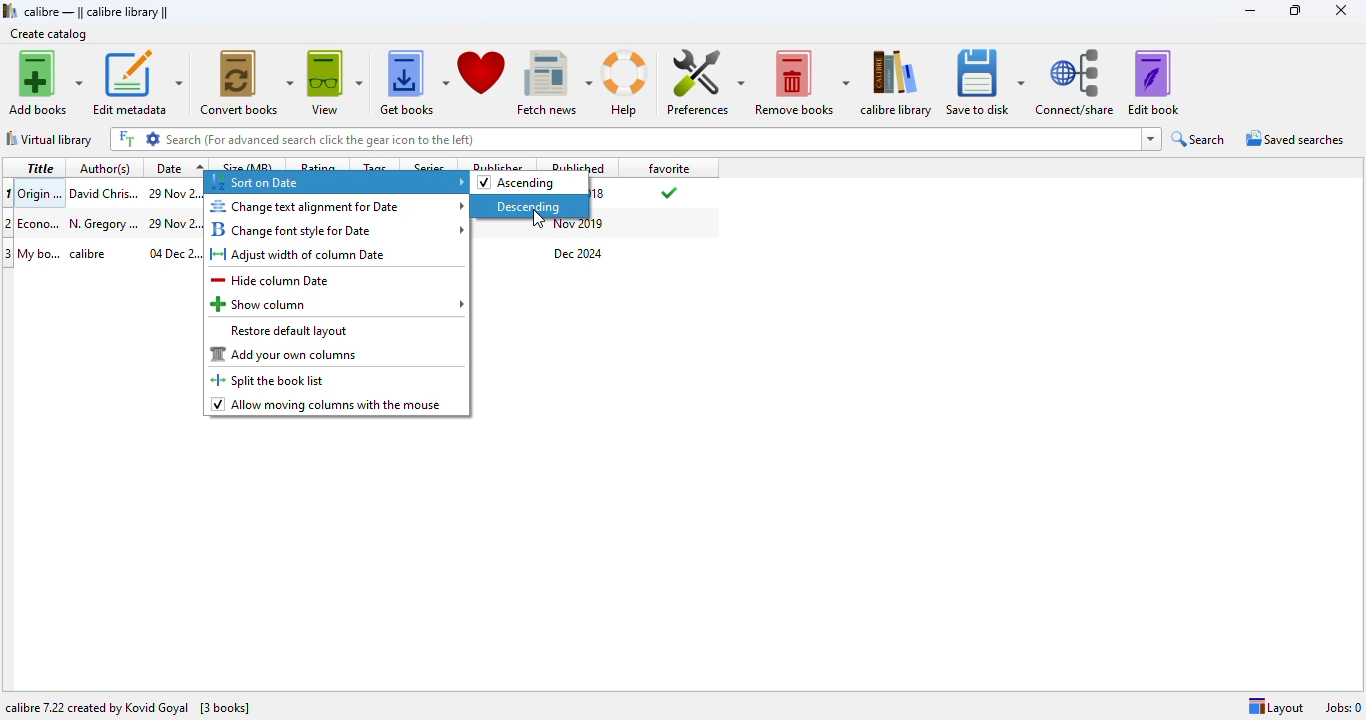 The width and height of the screenshot is (1366, 720). What do you see at coordinates (336, 183) in the screenshot?
I see `sort on date` at bounding box center [336, 183].